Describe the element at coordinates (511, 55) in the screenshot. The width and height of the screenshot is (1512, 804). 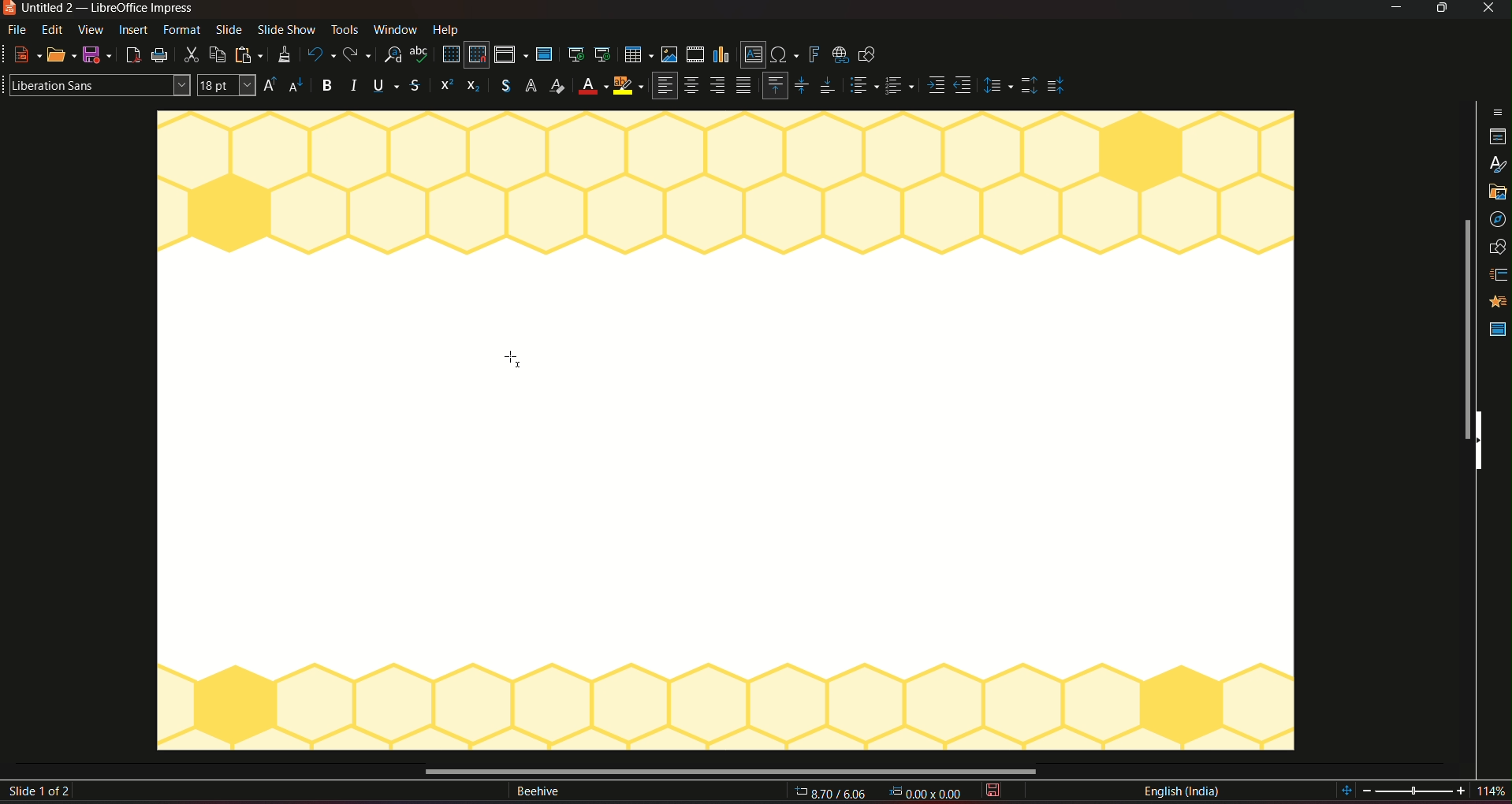
I see `display views` at that location.